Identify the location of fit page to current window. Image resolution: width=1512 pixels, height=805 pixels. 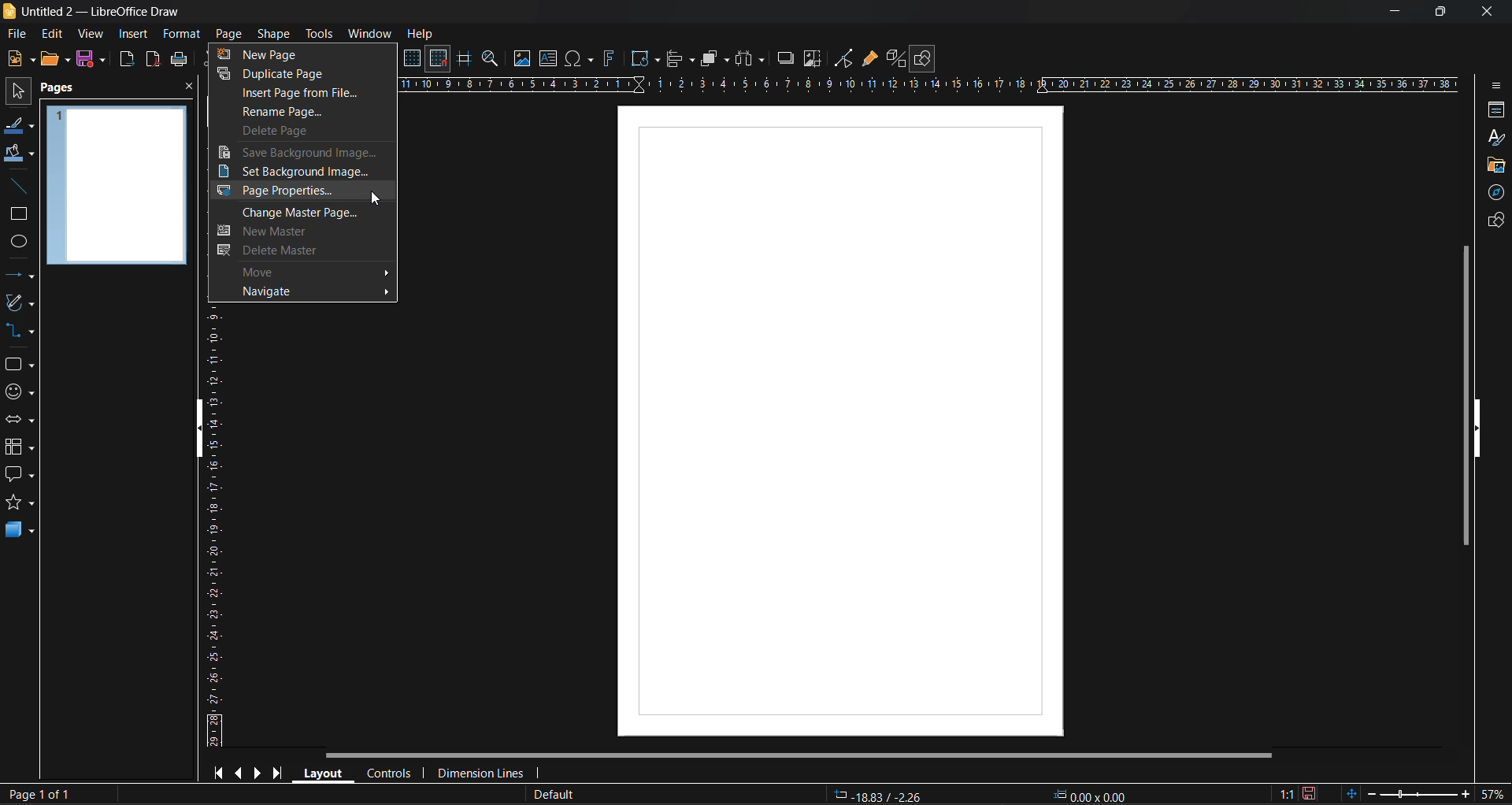
(1351, 793).